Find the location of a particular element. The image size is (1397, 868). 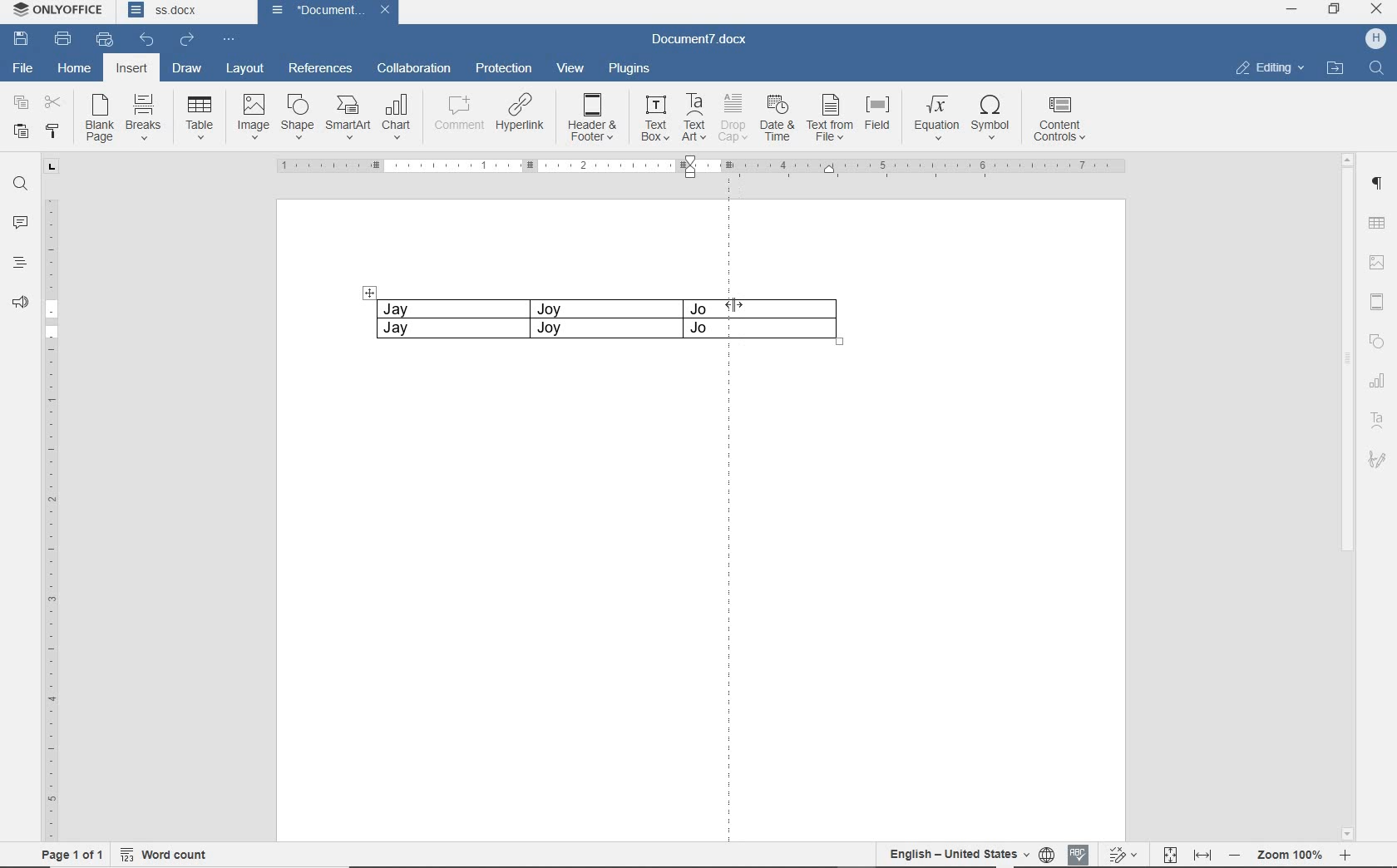

TABLE is located at coordinates (541, 321).